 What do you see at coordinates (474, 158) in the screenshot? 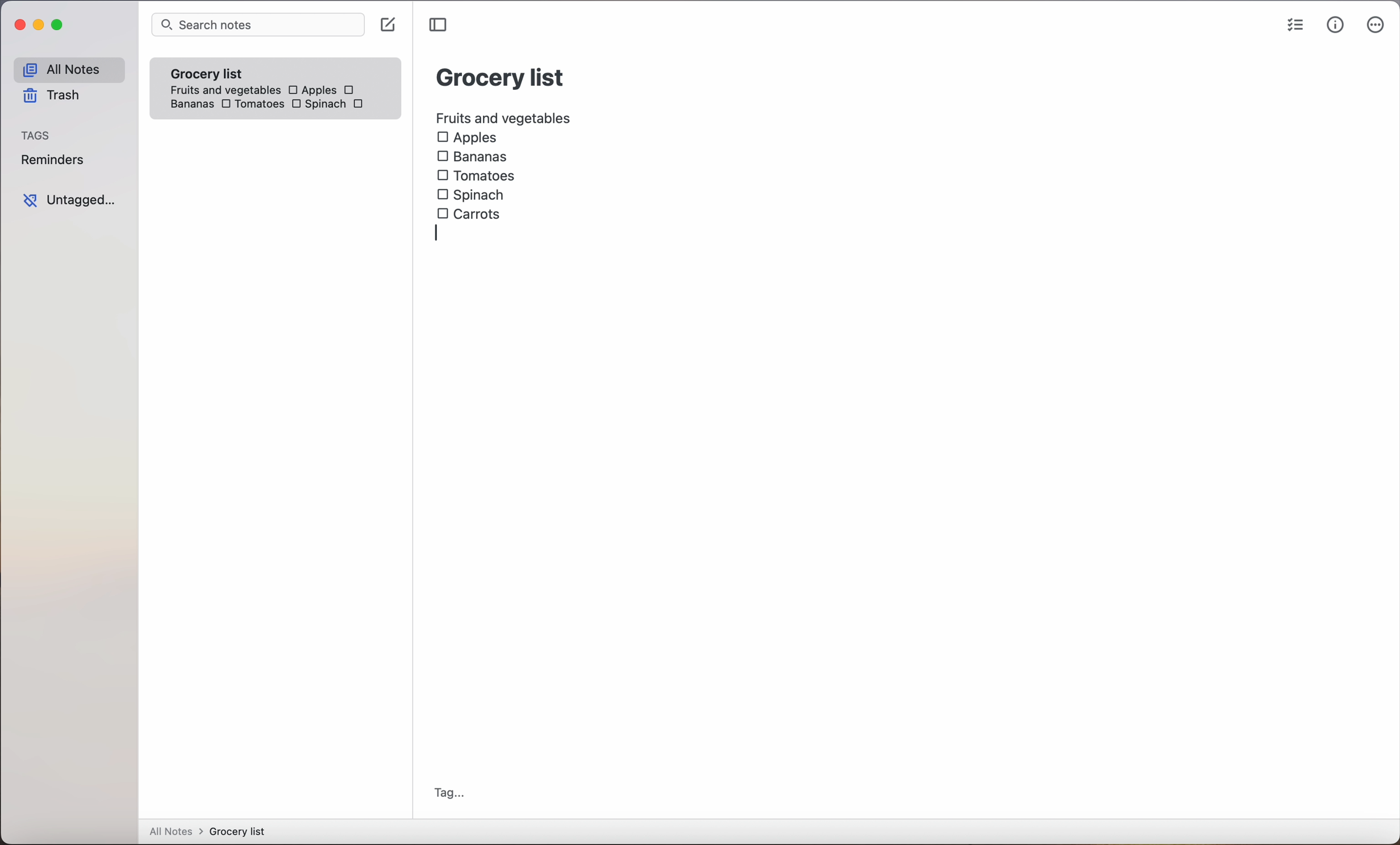
I see `Bananas checkbox` at bounding box center [474, 158].